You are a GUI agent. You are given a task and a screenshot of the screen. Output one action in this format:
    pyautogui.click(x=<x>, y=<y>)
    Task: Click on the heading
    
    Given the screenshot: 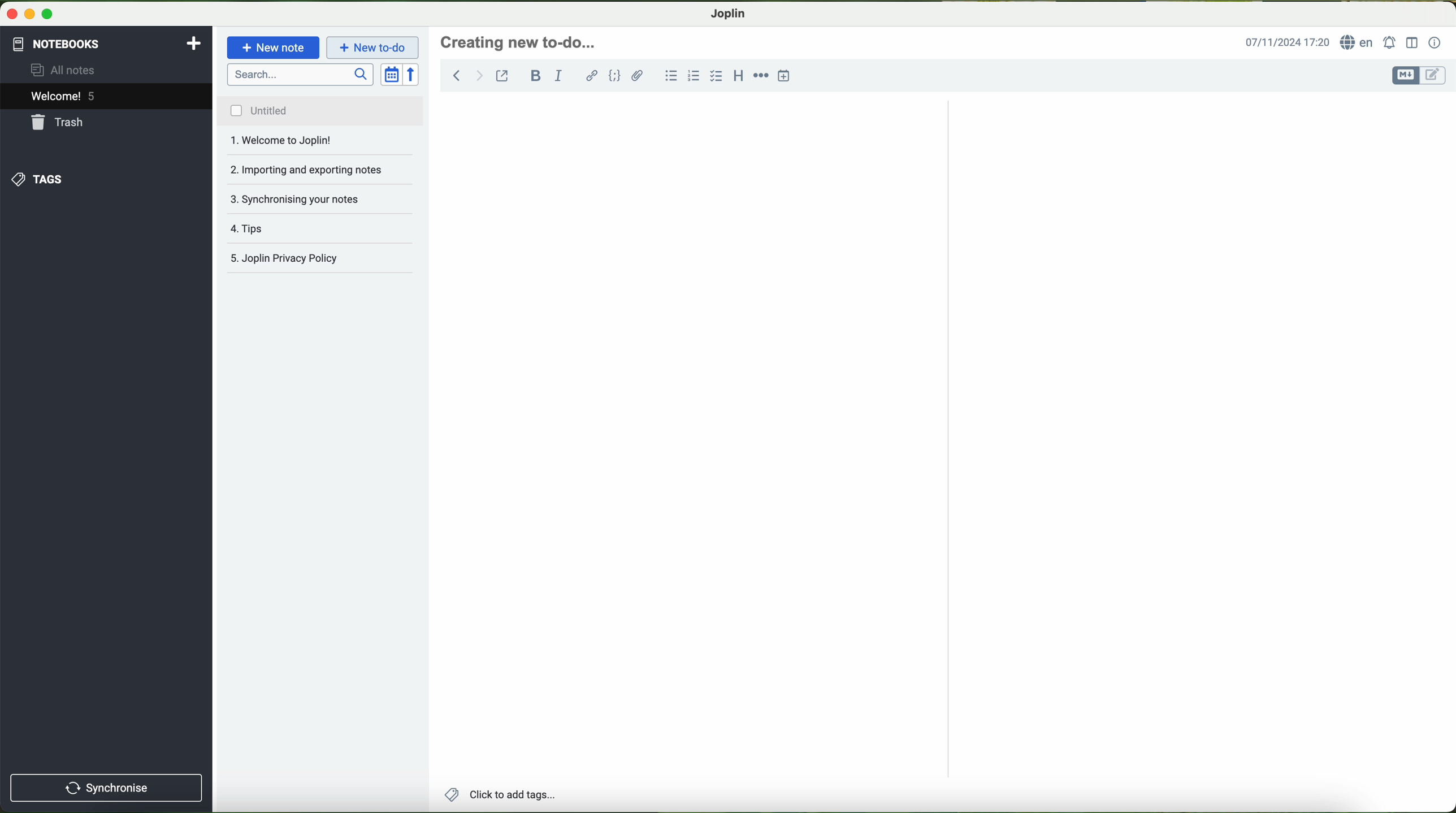 What is the action you would take?
    pyautogui.click(x=521, y=42)
    